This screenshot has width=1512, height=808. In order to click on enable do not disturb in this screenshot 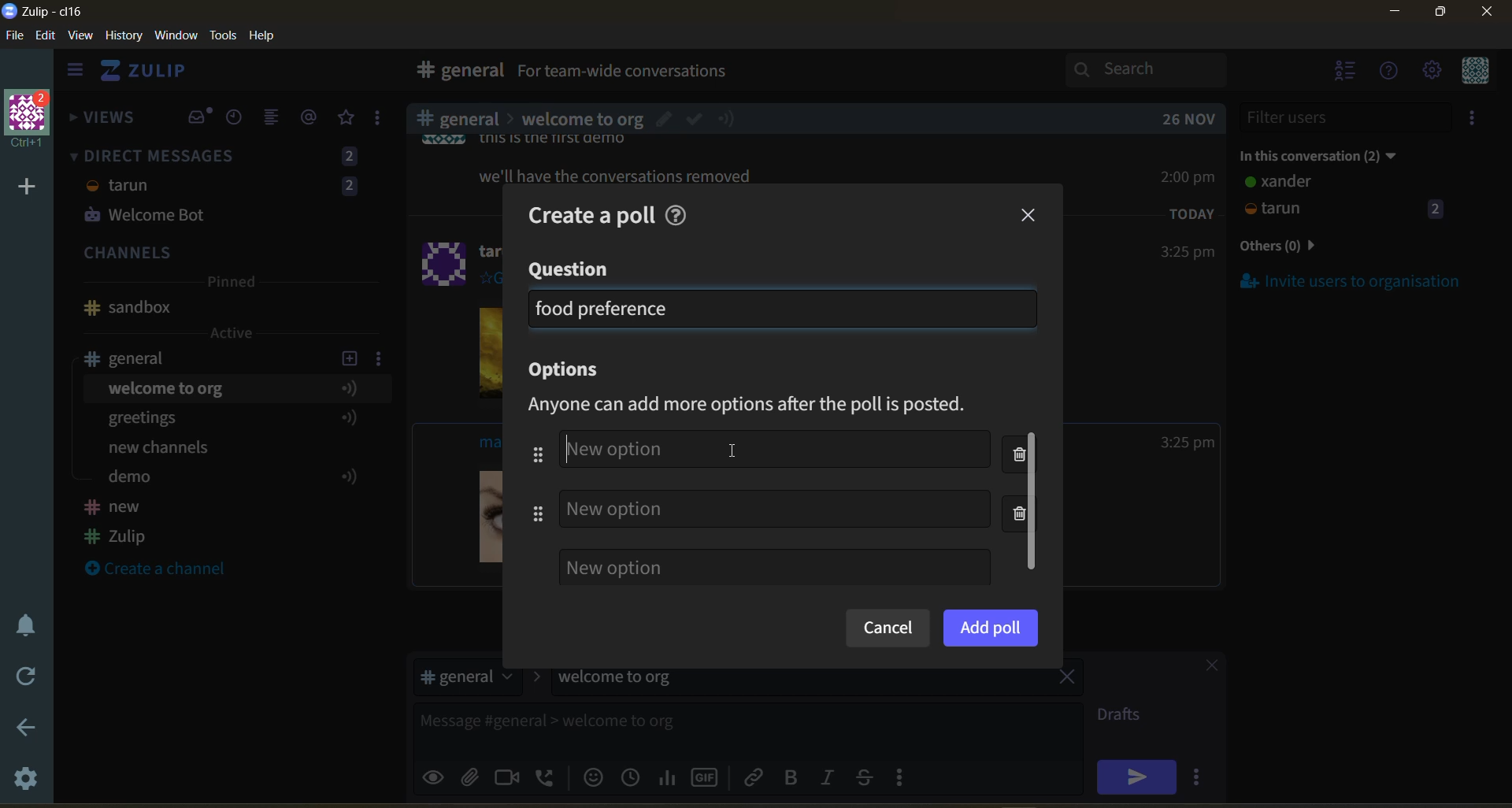, I will do `click(22, 623)`.